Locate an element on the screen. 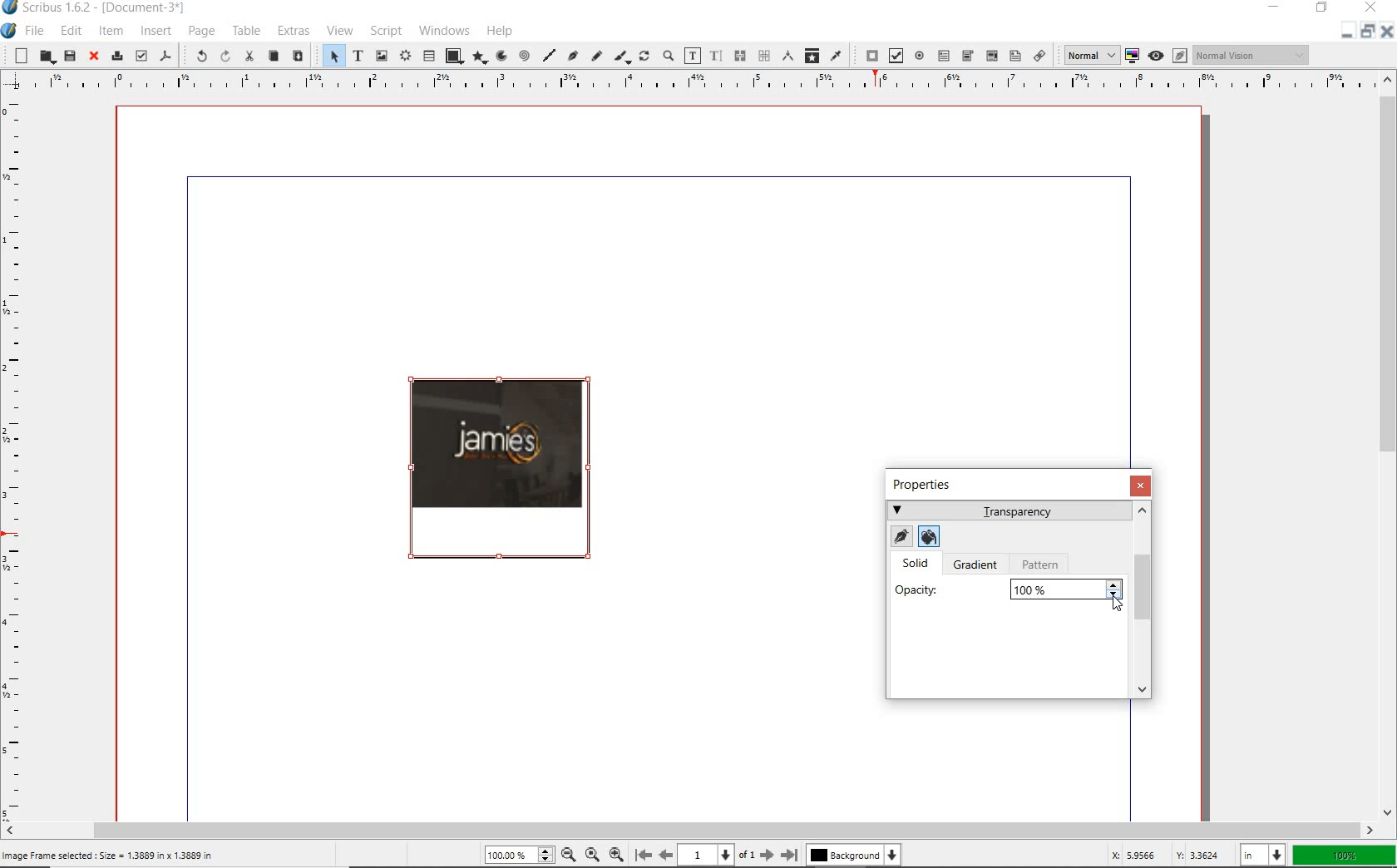 The height and width of the screenshot is (868, 1397). zoom level is located at coordinates (511, 854).